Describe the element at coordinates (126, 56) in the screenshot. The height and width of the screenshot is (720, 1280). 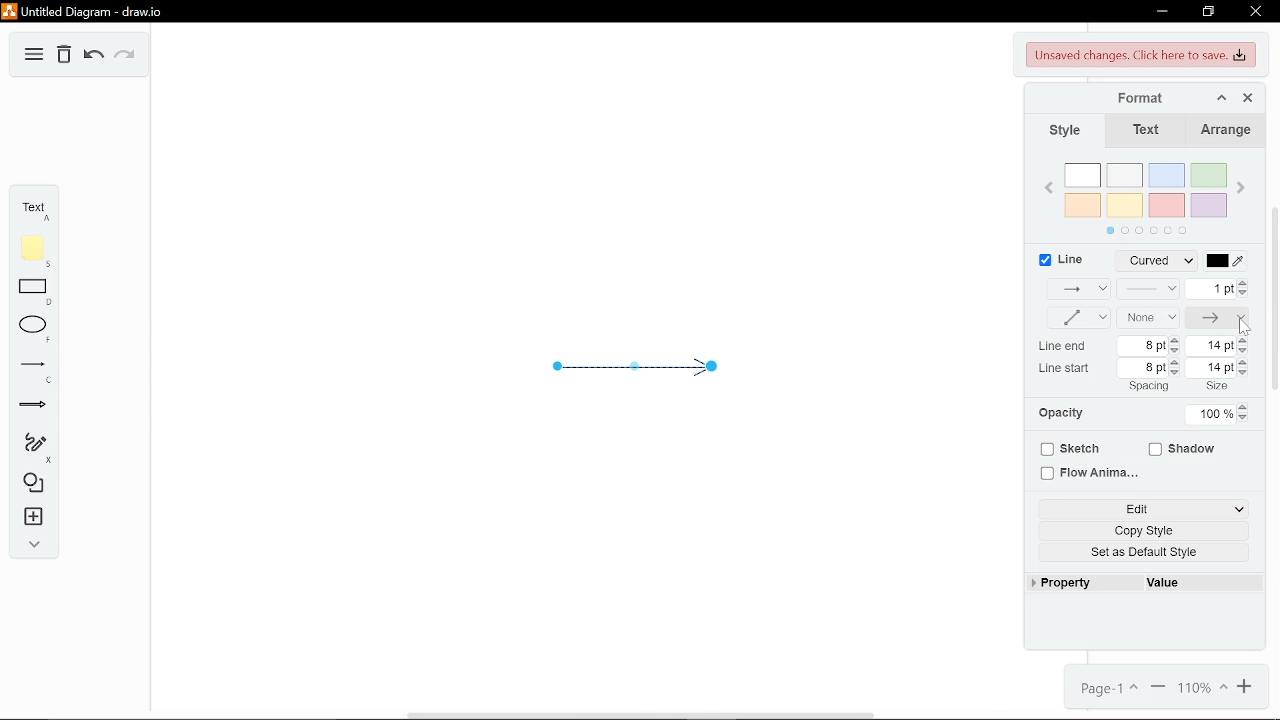
I see `Redo` at that location.